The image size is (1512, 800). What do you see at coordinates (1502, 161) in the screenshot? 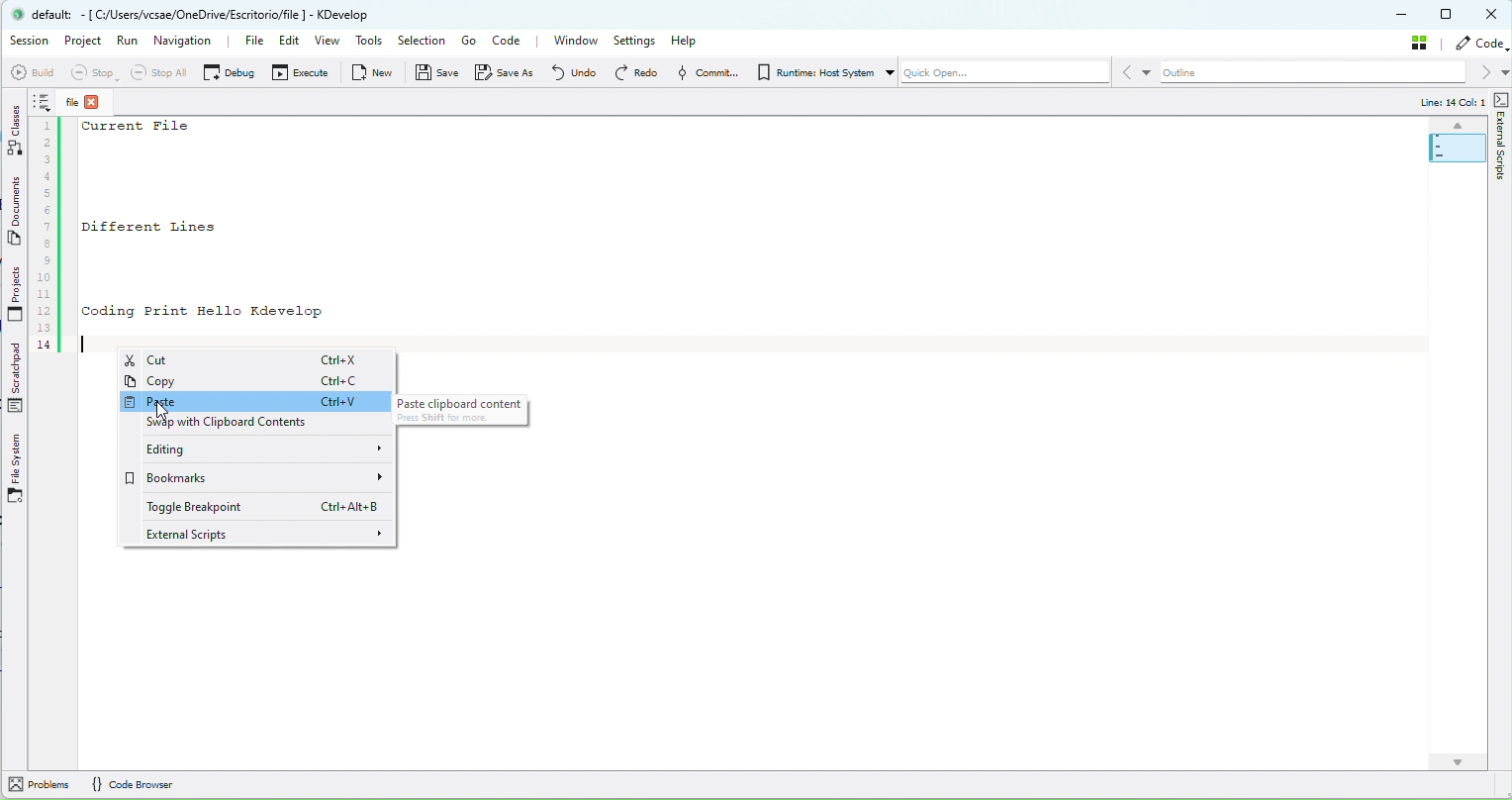
I see `External Scripts` at bounding box center [1502, 161].